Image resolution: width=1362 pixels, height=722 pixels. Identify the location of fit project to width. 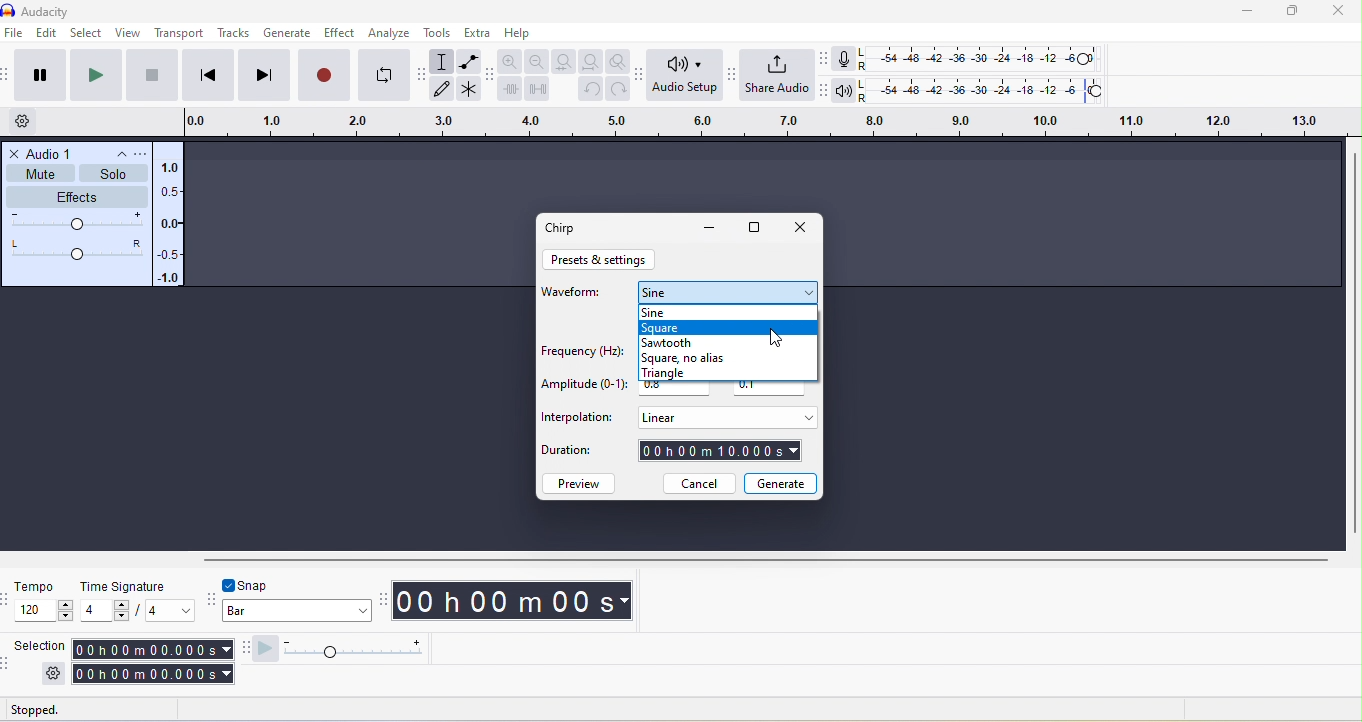
(590, 62).